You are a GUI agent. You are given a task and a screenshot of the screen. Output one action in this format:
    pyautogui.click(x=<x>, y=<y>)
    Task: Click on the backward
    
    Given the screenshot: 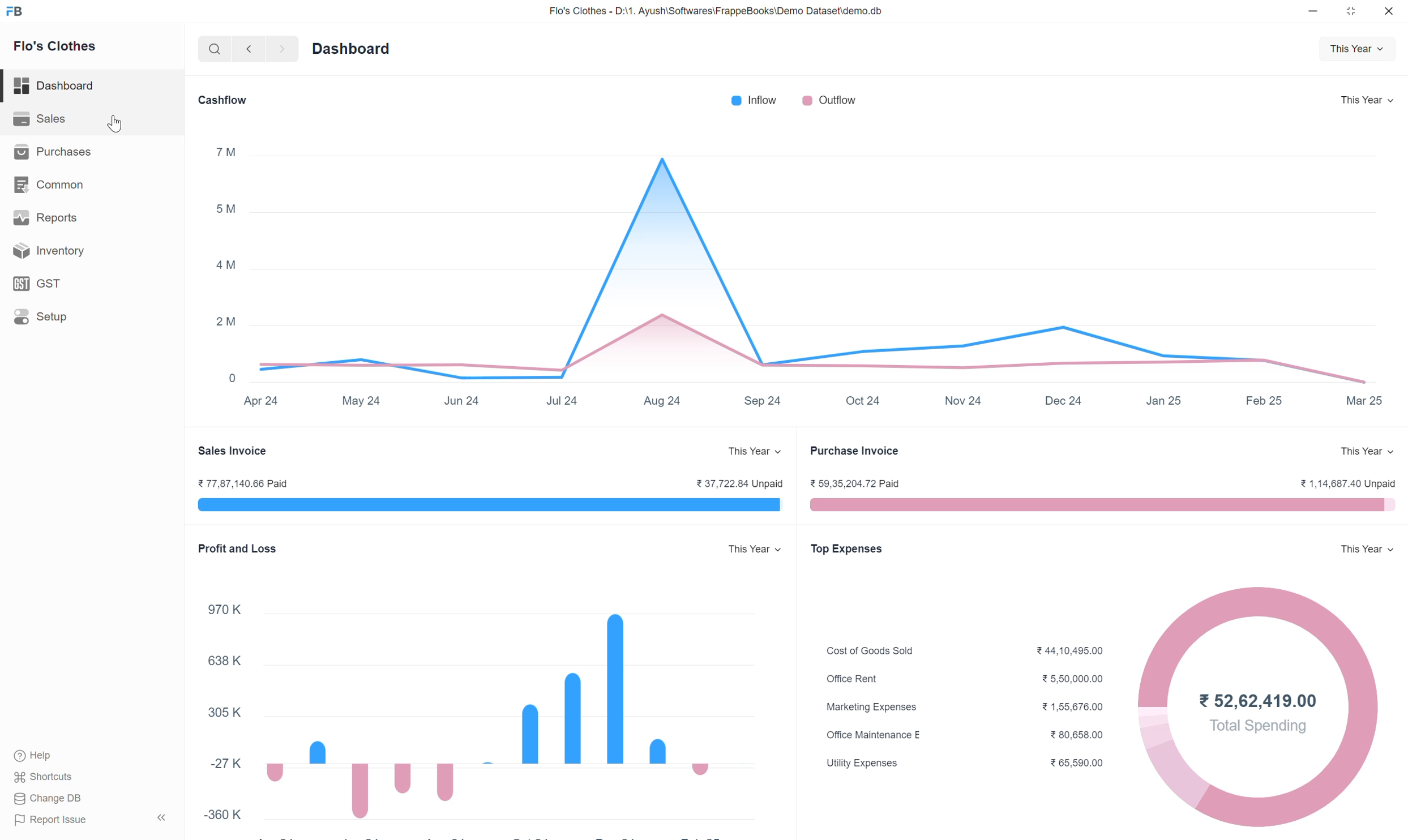 What is the action you would take?
    pyautogui.click(x=247, y=48)
    